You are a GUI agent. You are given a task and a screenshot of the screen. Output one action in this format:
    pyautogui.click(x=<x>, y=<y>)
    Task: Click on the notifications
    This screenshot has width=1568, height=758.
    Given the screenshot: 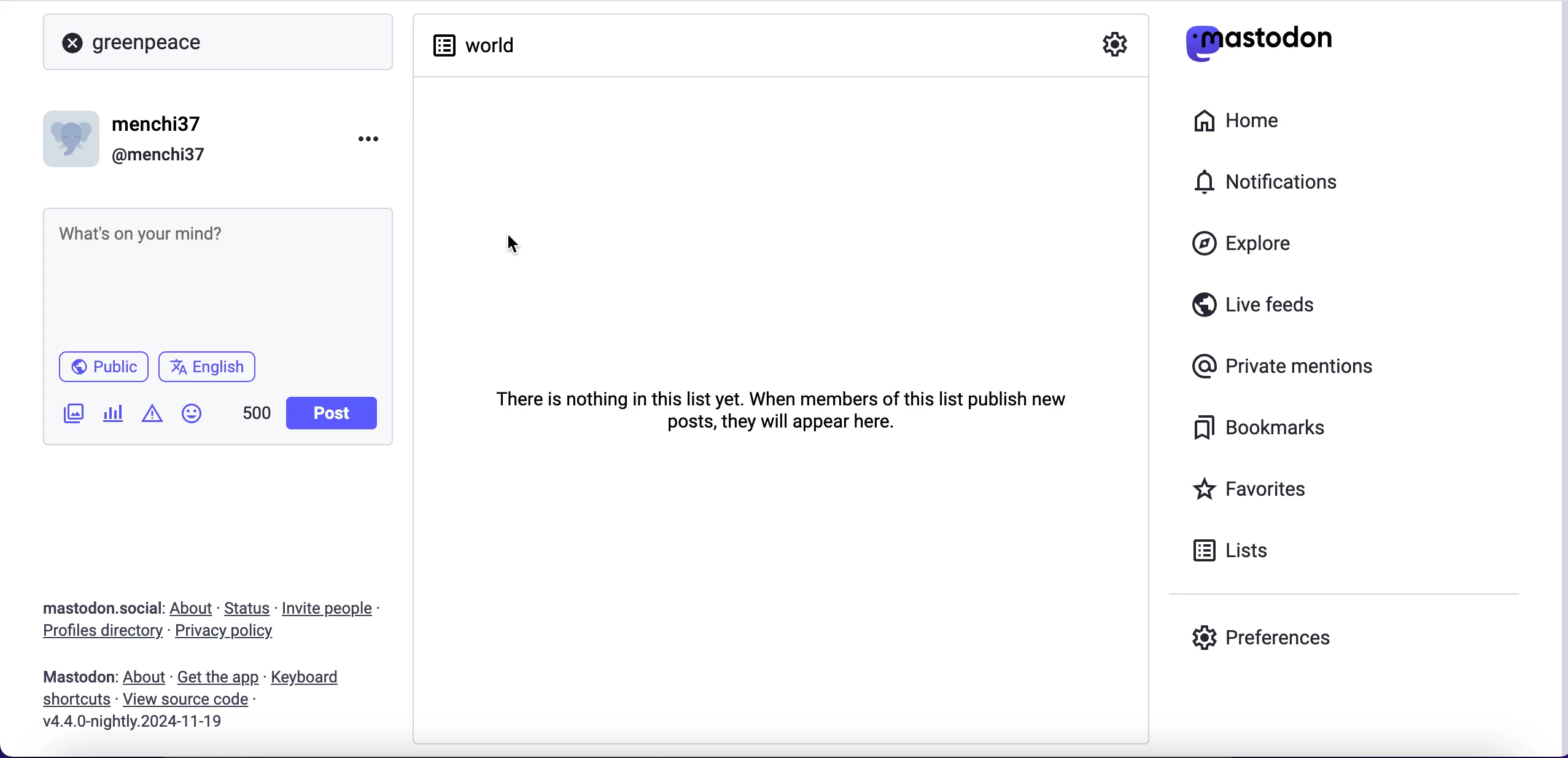 What is the action you would take?
    pyautogui.click(x=1272, y=181)
    